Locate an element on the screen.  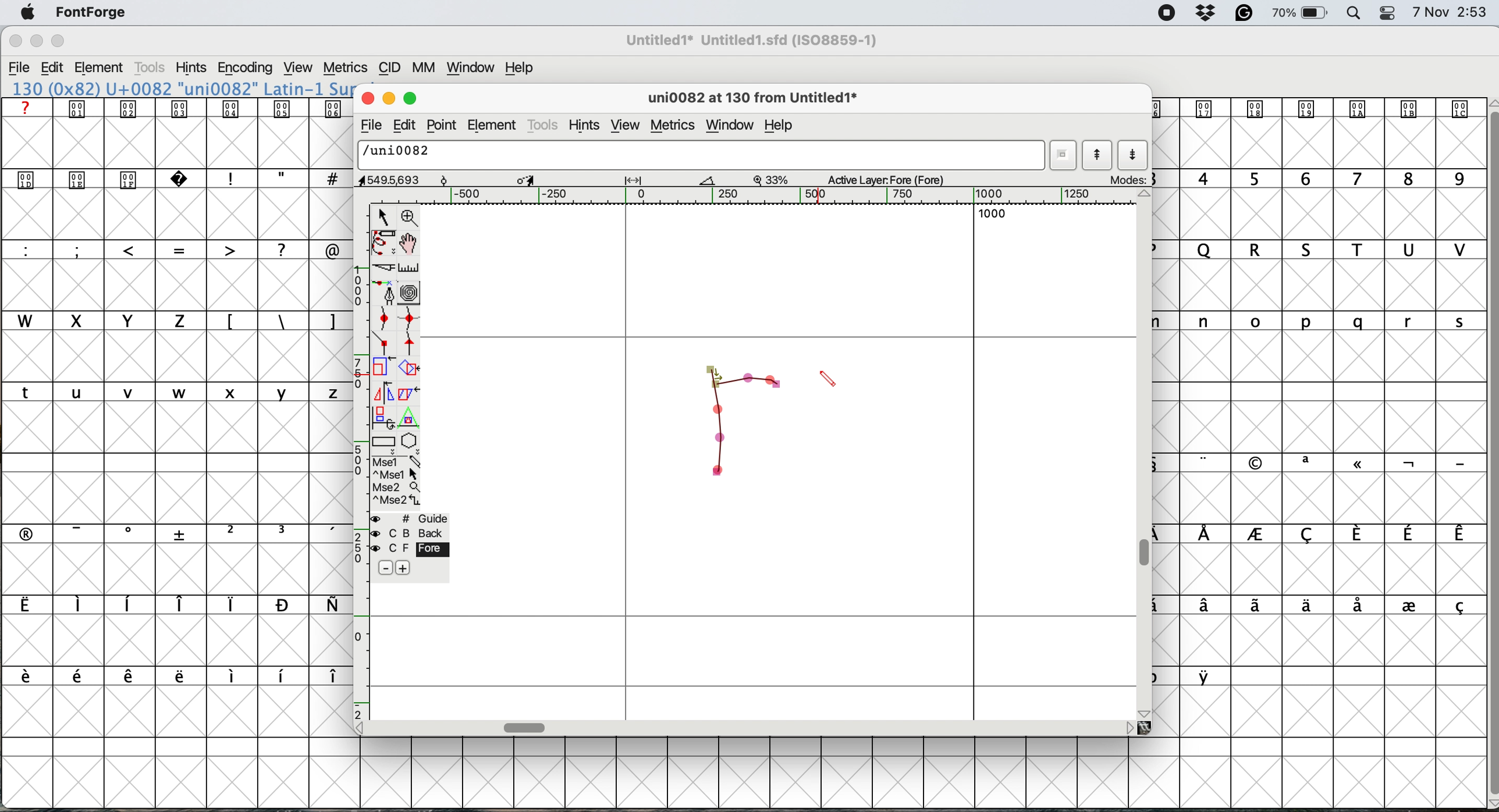
lowercase letters is located at coordinates (171, 393).